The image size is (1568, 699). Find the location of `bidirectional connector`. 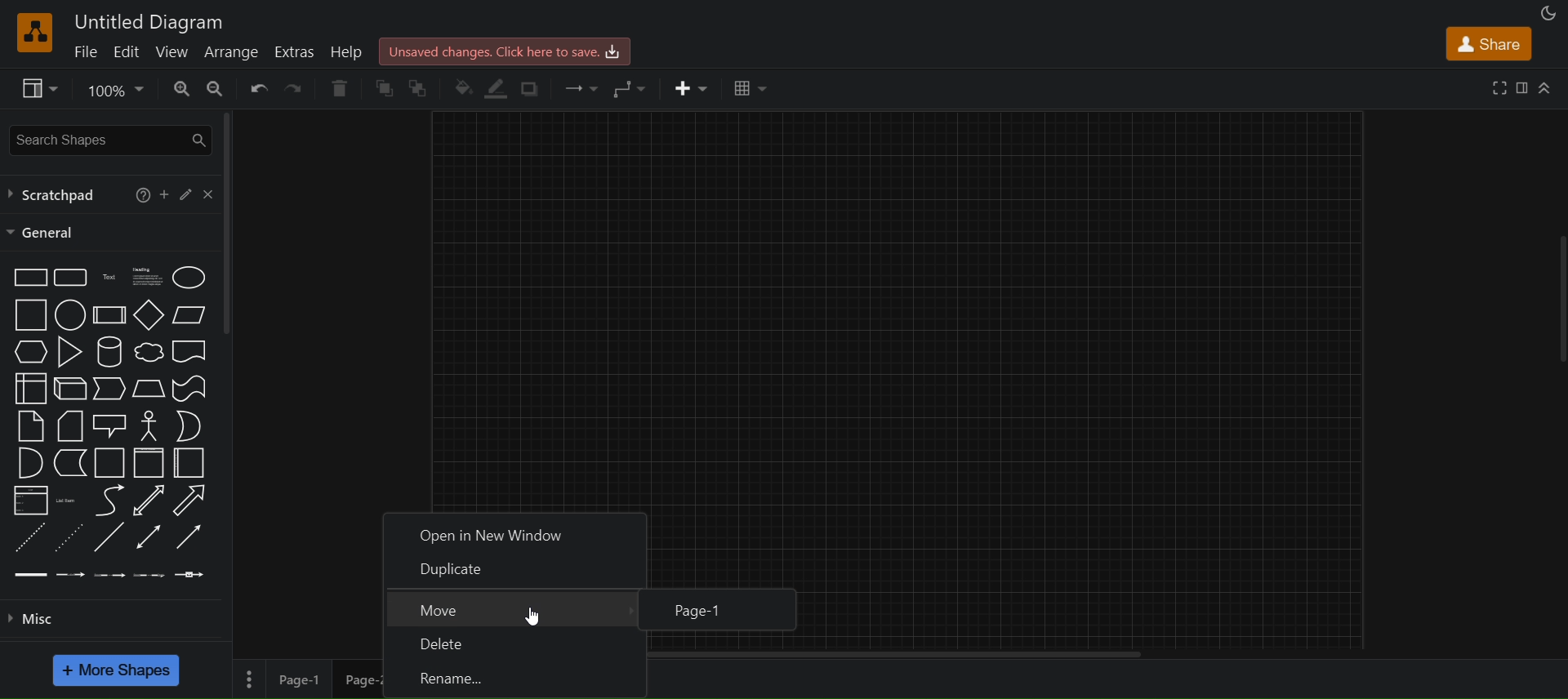

bidirectional connector is located at coordinates (149, 536).